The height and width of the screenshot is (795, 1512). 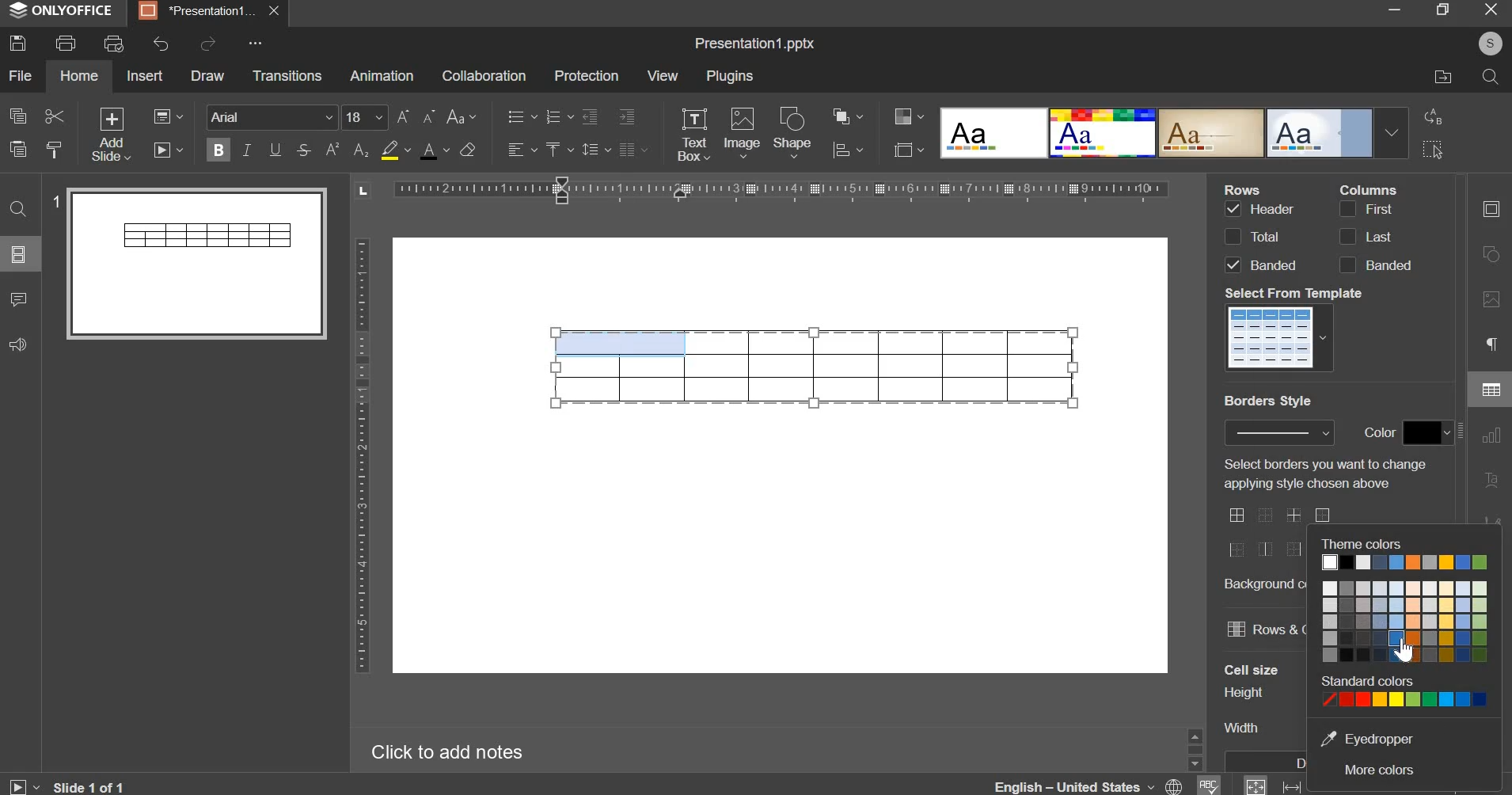 What do you see at coordinates (1107, 784) in the screenshot?
I see `language & spelling` at bounding box center [1107, 784].